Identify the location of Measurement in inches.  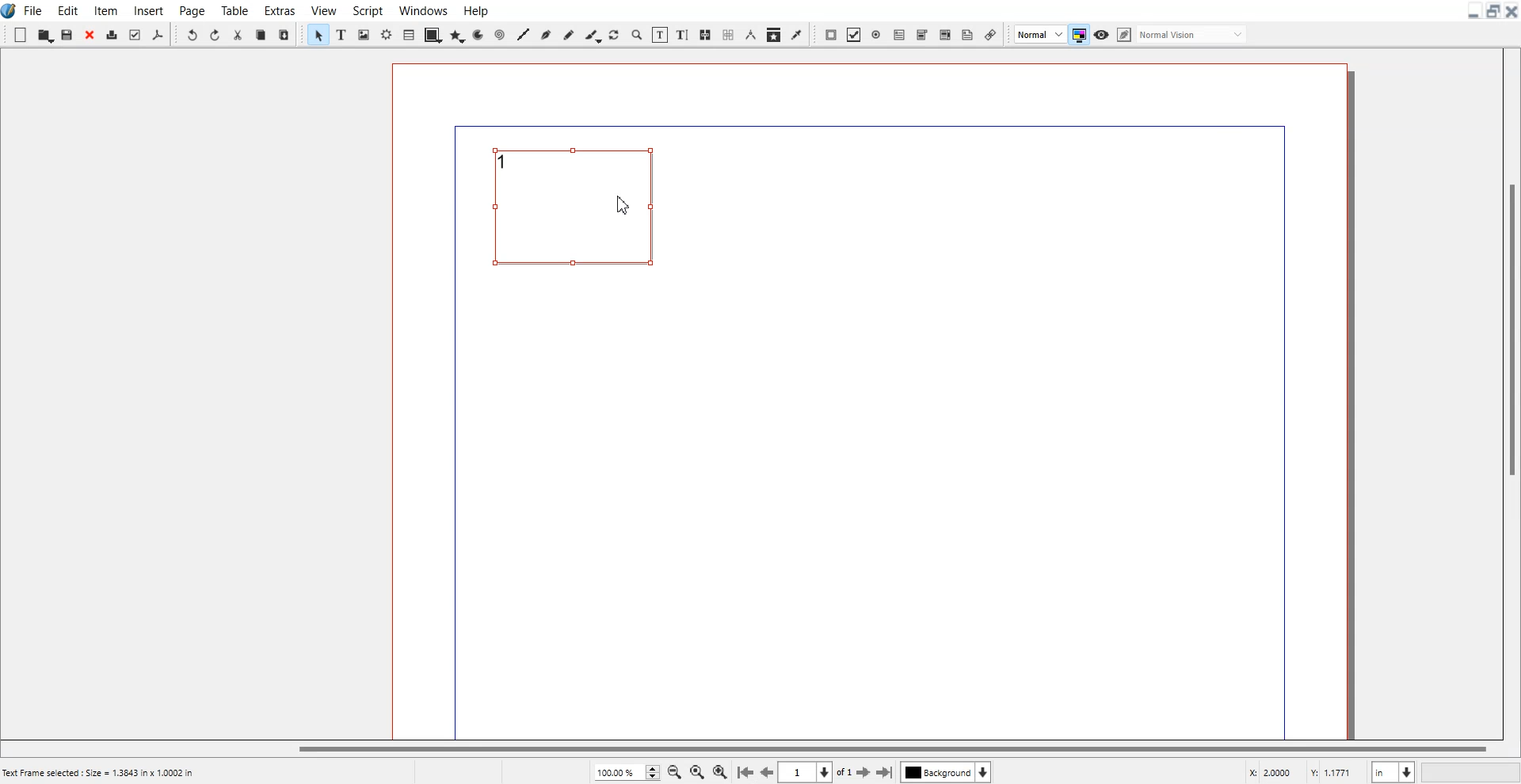
(1393, 771).